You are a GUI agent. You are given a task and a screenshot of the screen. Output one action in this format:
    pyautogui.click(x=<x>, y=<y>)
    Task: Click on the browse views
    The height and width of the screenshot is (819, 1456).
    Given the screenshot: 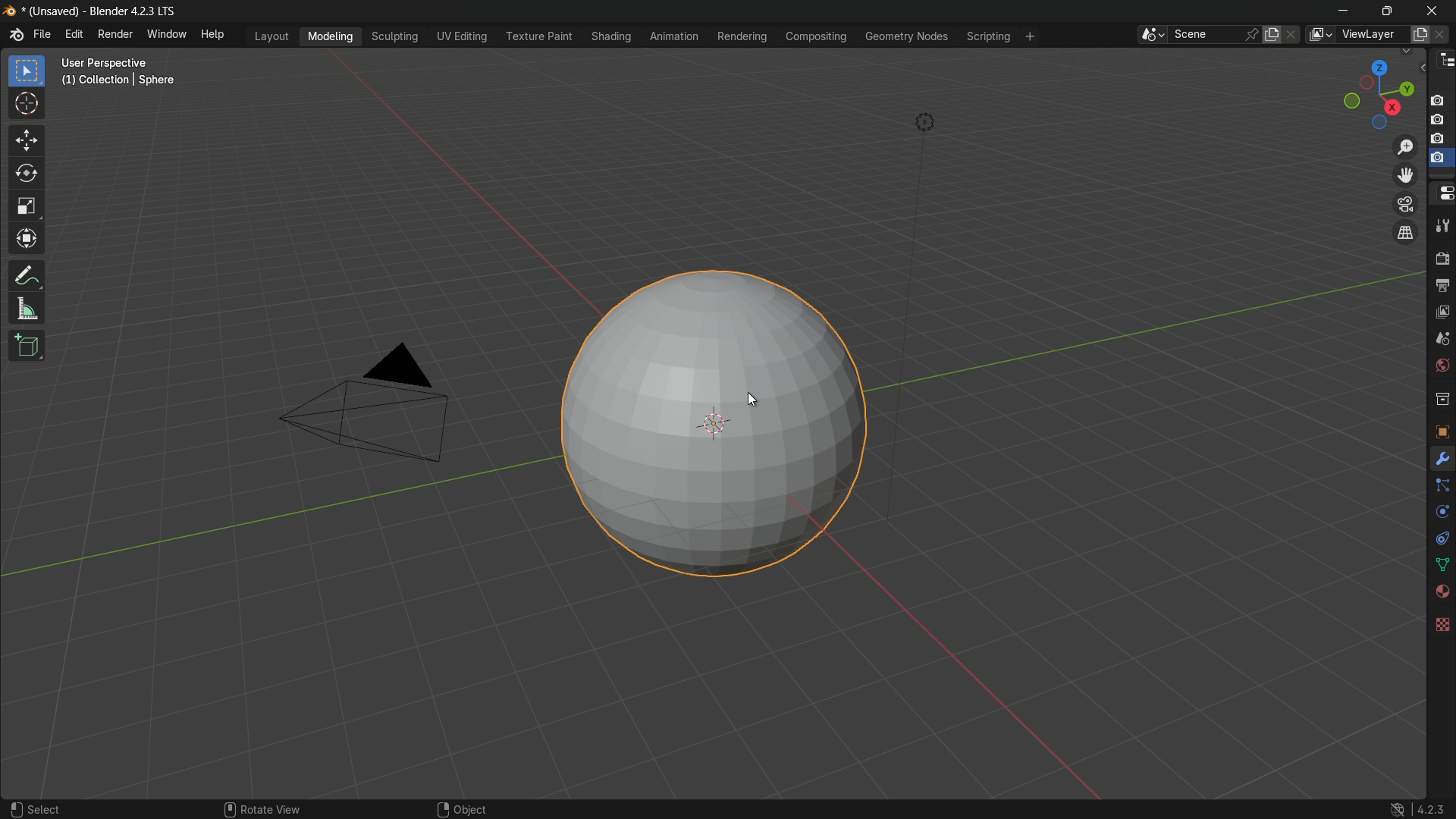 What is the action you would take?
    pyautogui.click(x=1319, y=34)
    